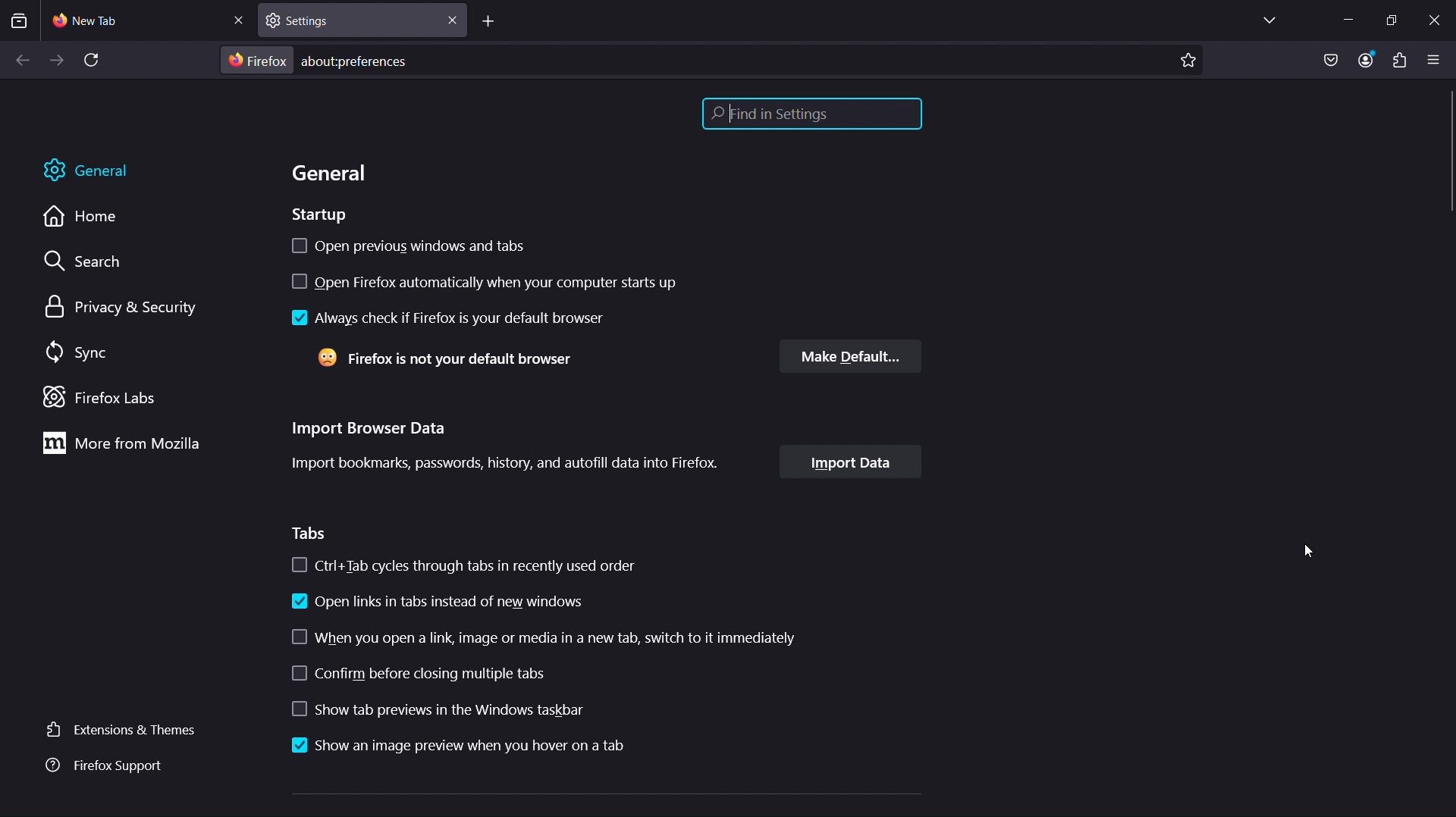 The height and width of the screenshot is (817, 1456). Describe the element at coordinates (485, 279) in the screenshot. I see `Open firefox automatically` at that location.